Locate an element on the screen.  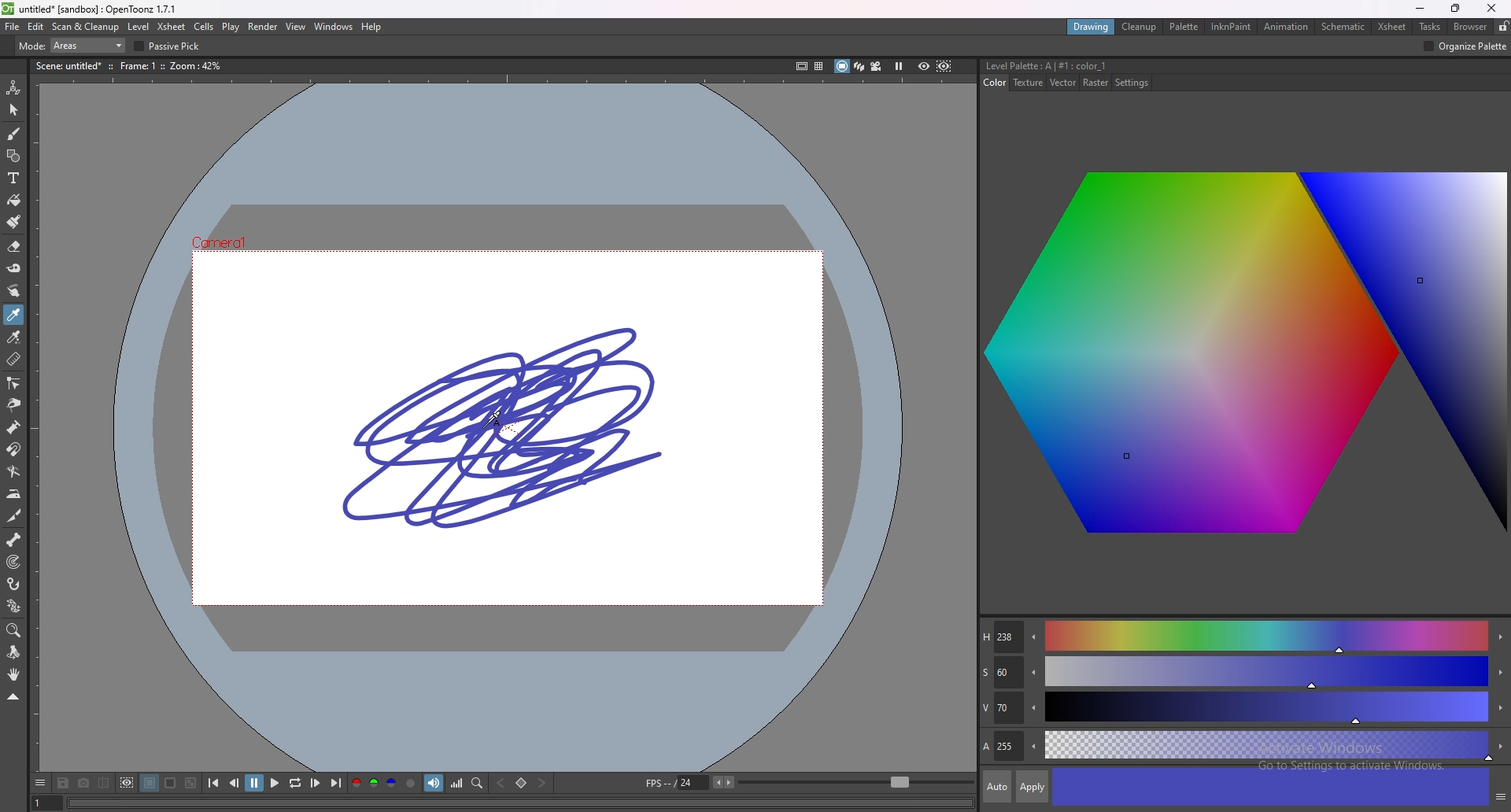
freeze is located at coordinates (899, 65).